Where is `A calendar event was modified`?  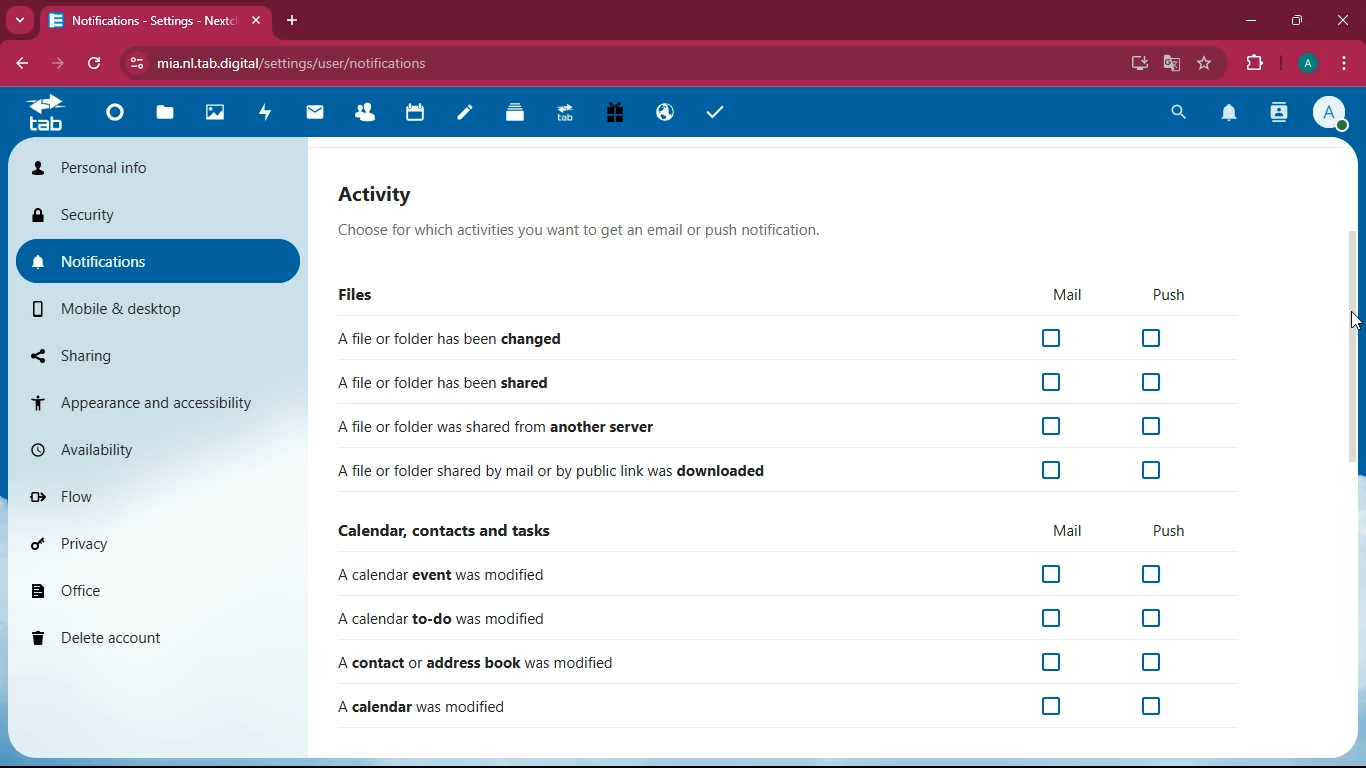
A calendar event was modified is located at coordinates (750, 573).